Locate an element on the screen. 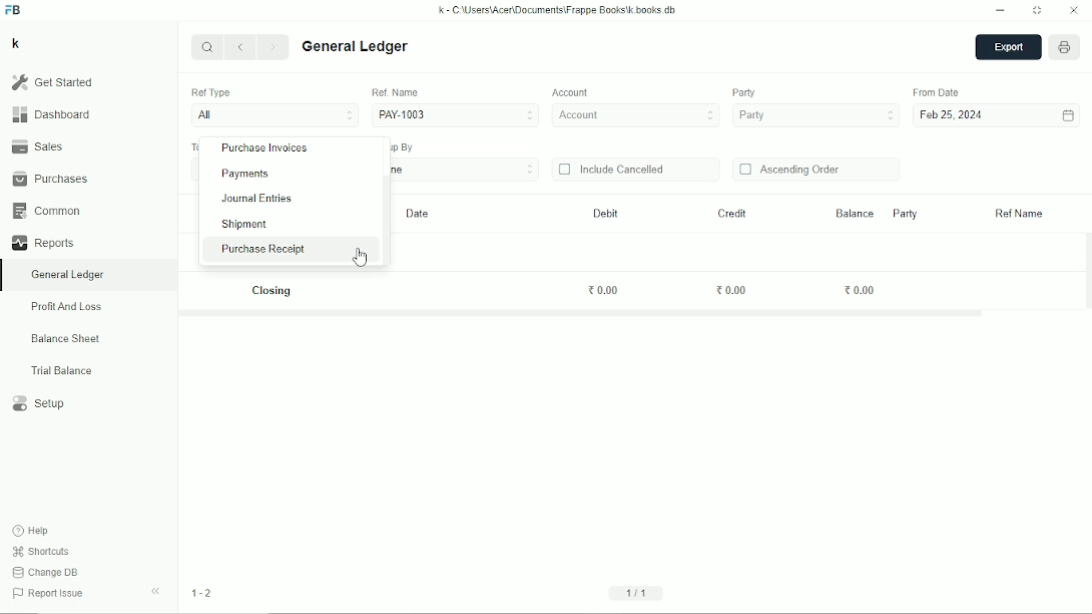 This screenshot has width=1092, height=614. Date is located at coordinates (419, 214).